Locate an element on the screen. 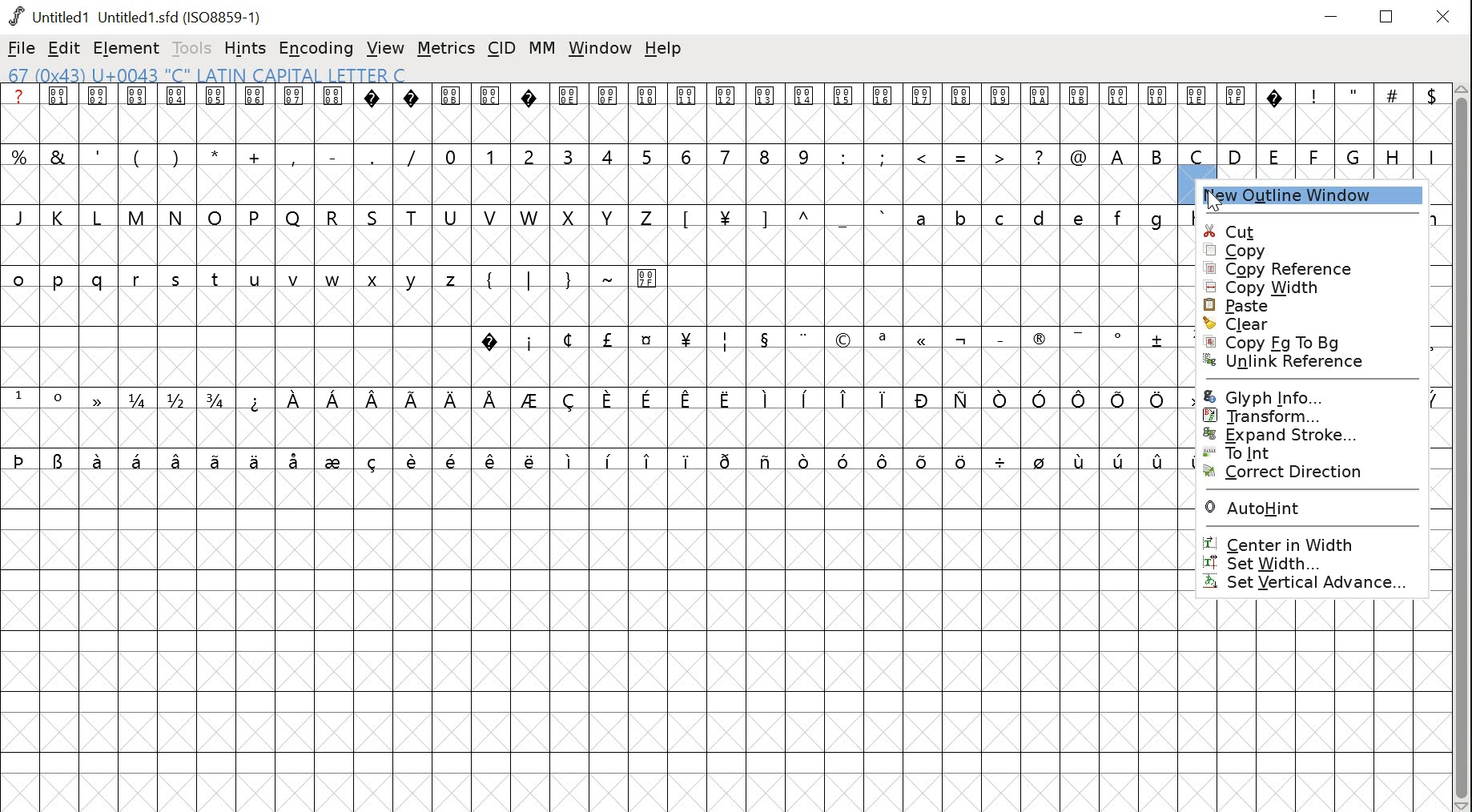 The image size is (1472, 812). close is located at coordinates (1445, 16).